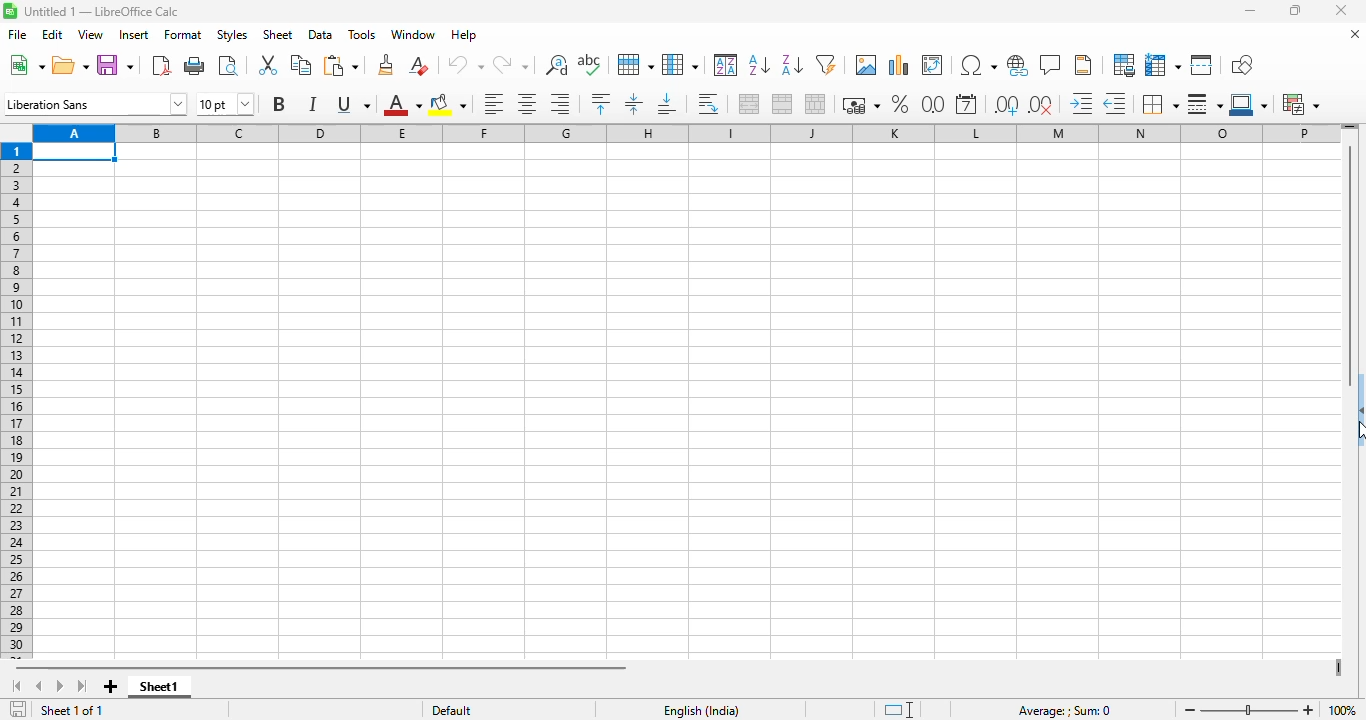  Describe the element at coordinates (1051, 64) in the screenshot. I see `insert comment` at that location.